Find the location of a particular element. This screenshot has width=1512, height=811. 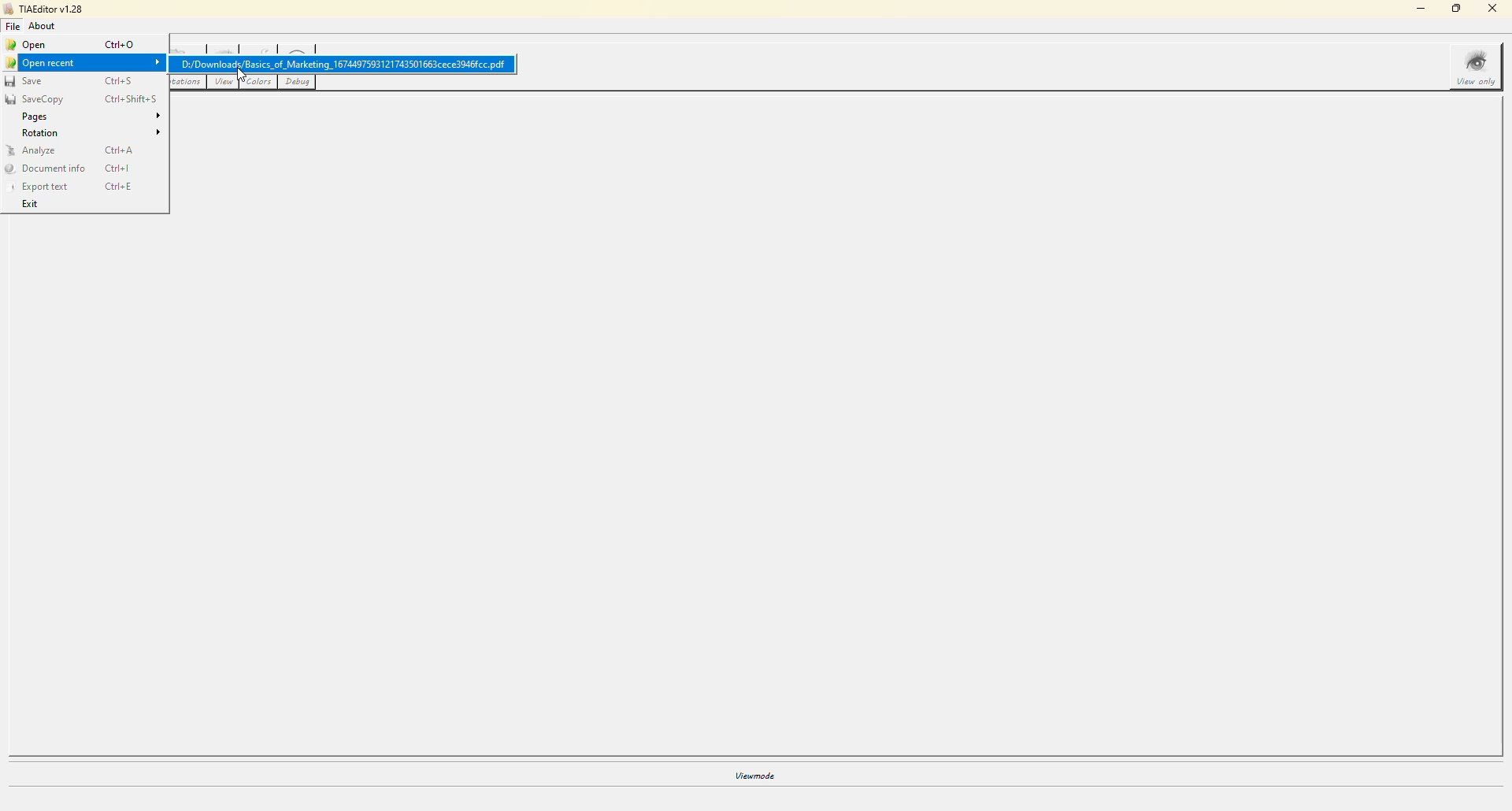

view only is located at coordinates (1473, 65).